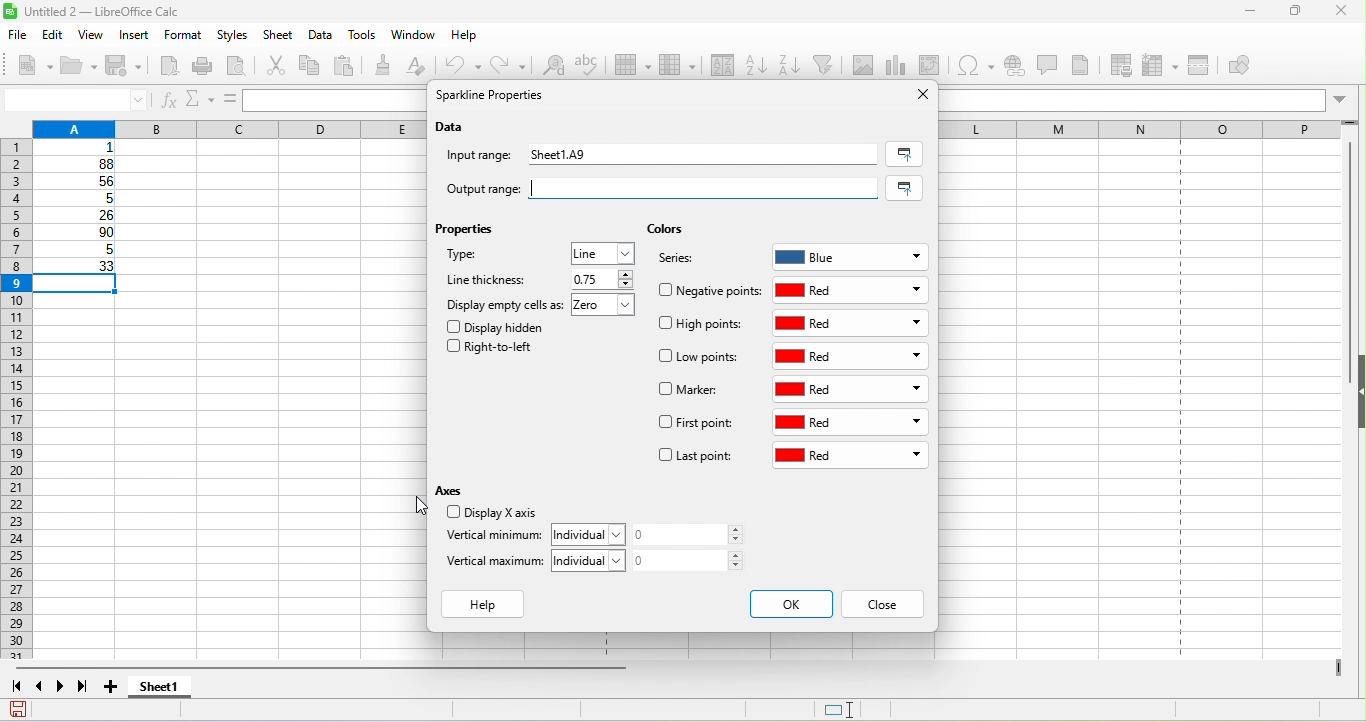  I want to click on clear direct formatting, so click(424, 68).